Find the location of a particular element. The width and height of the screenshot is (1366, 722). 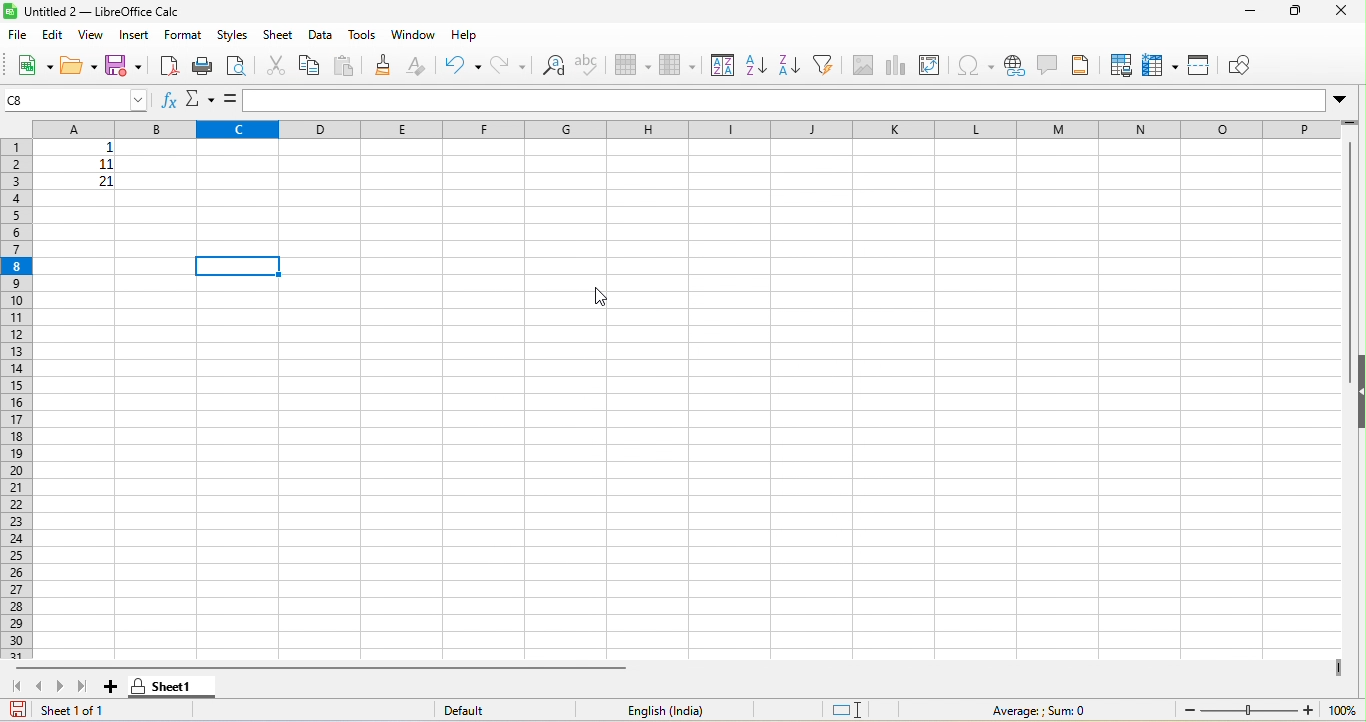

redo is located at coordinates (517, 65).